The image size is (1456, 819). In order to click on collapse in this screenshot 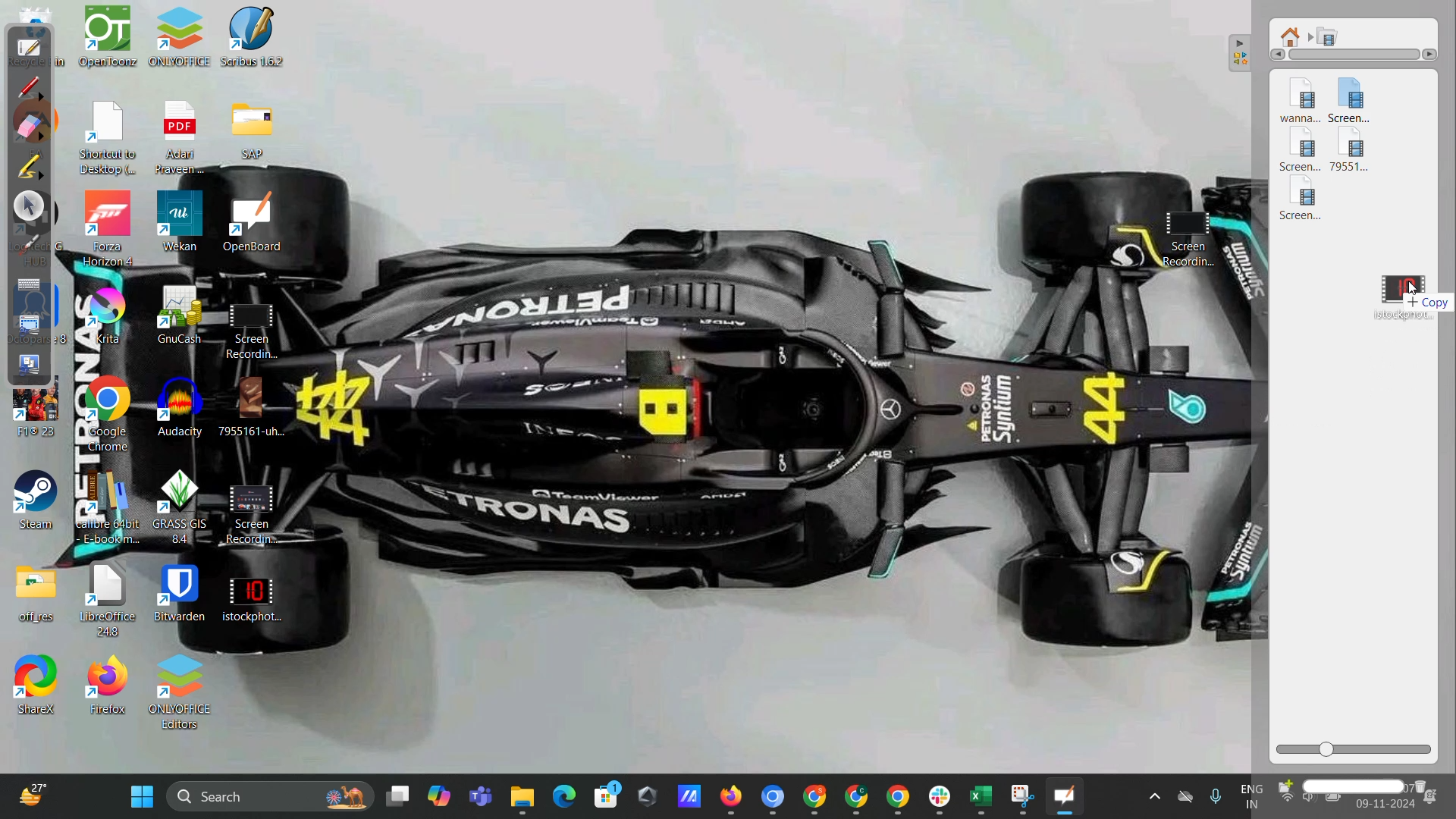, I will do `click(1245, 52)`.